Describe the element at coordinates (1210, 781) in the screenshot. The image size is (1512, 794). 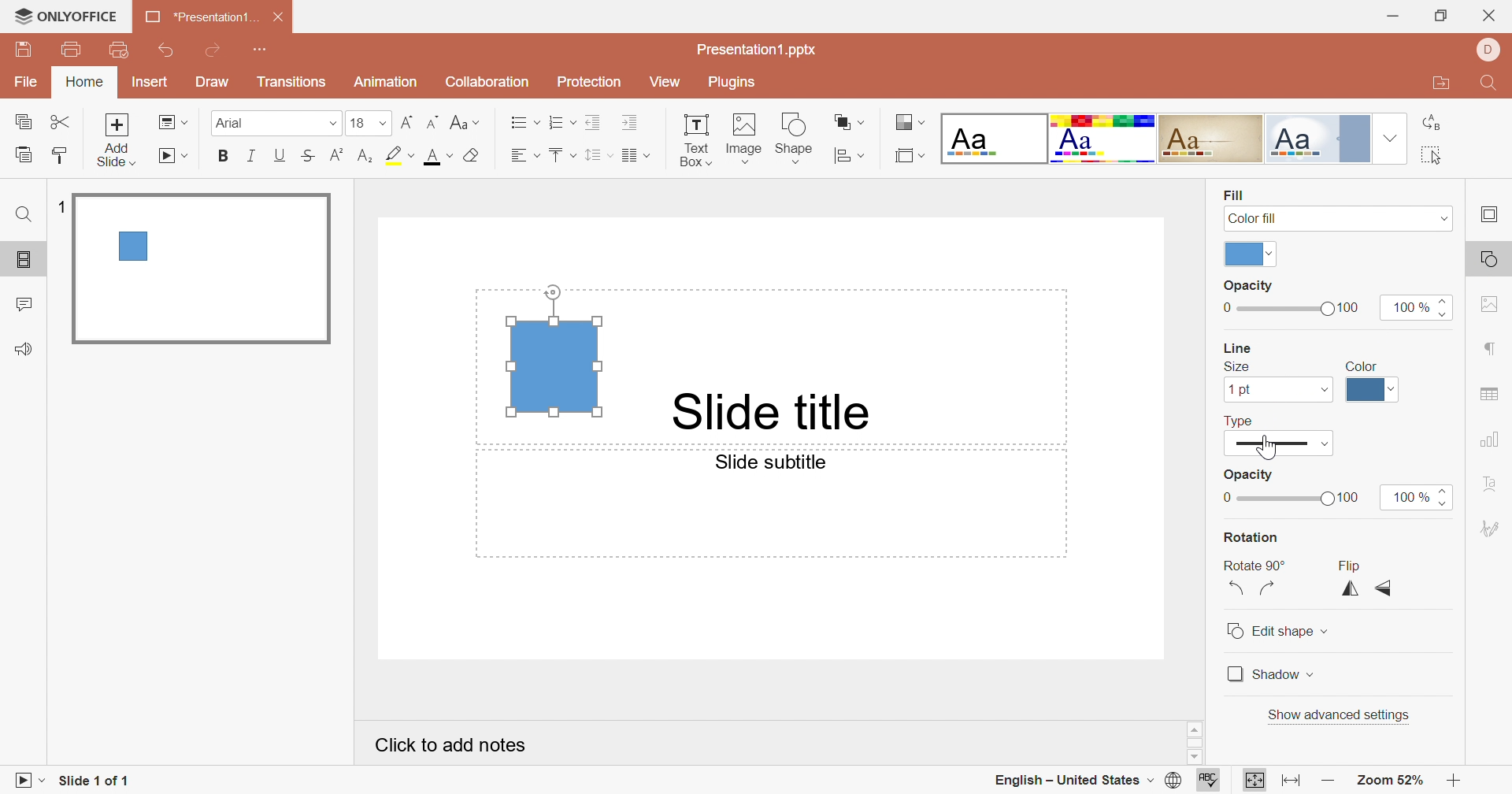
I see `Check spelling` at that location.